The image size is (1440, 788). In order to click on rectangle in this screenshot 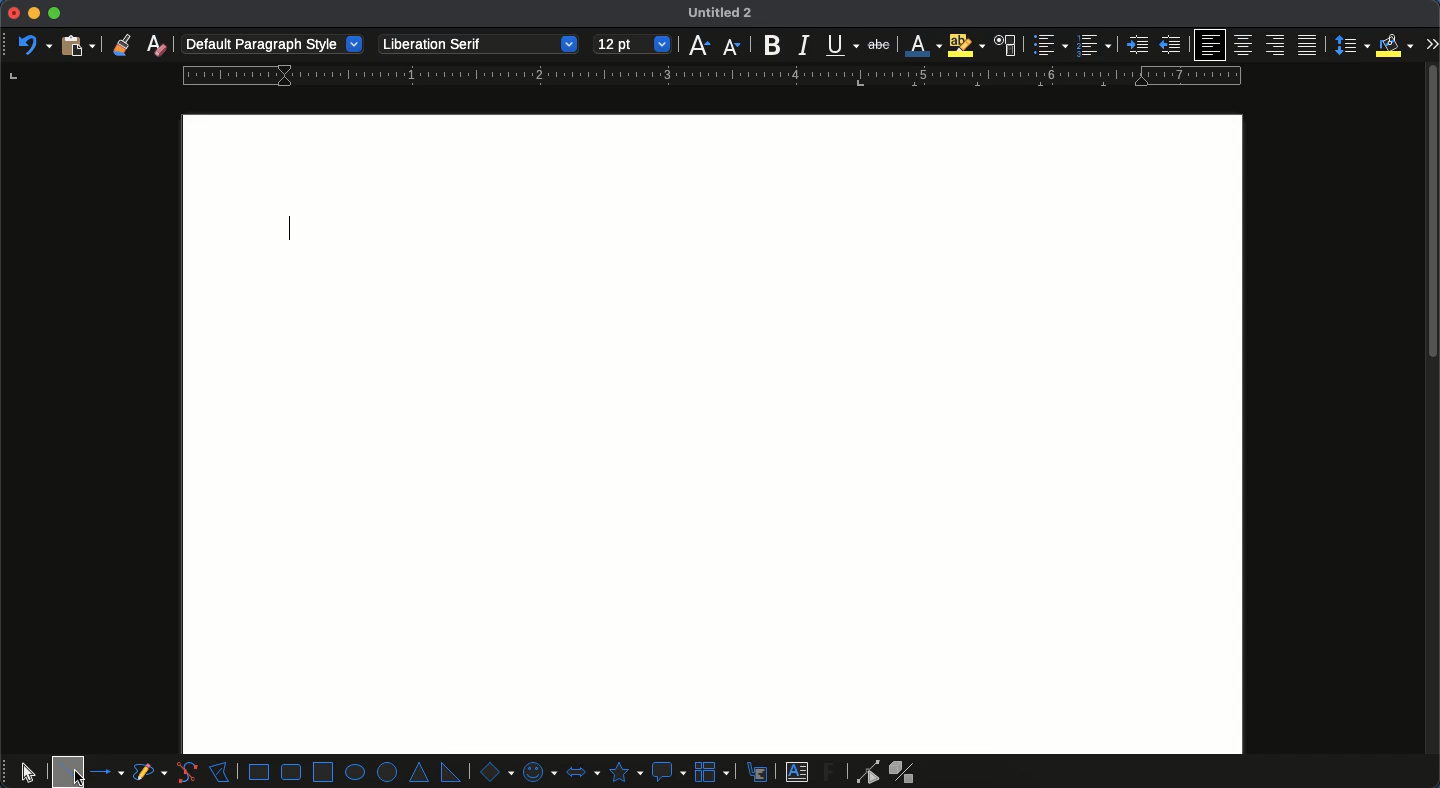, I will do `click(259, 772)`.